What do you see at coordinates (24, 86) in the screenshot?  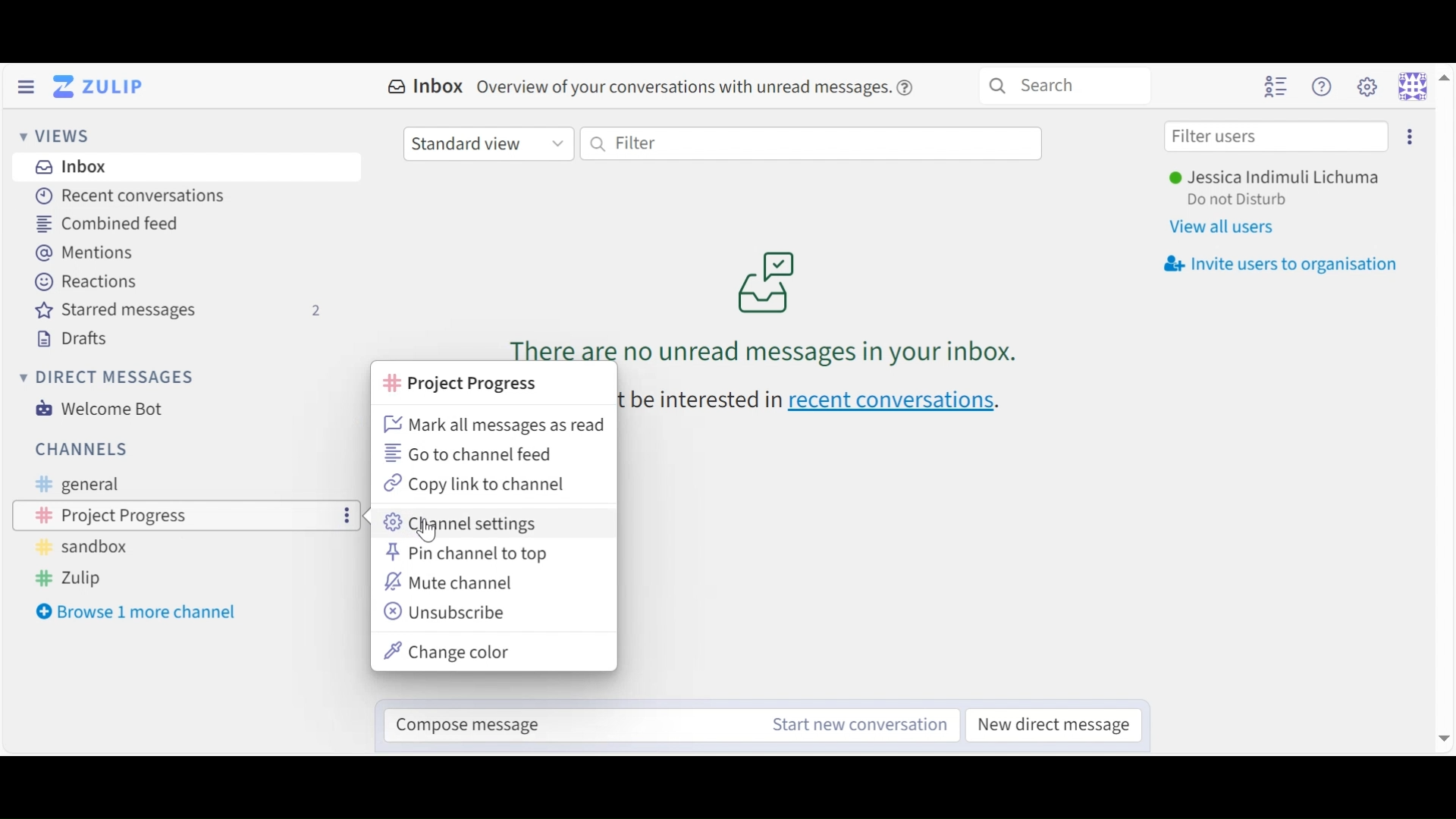 I see `Hide Left Sidebar` at bounding box center [24, 86].